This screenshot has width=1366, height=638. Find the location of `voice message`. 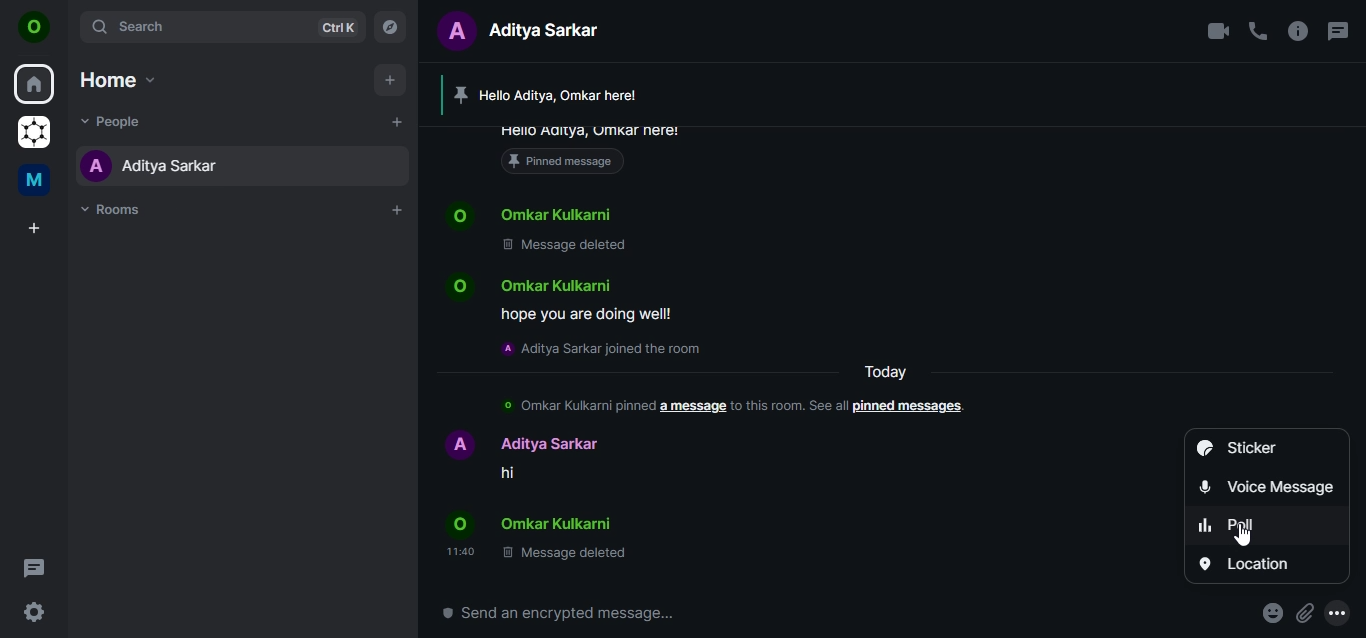

voice message is located at coordinates (1267, 487).